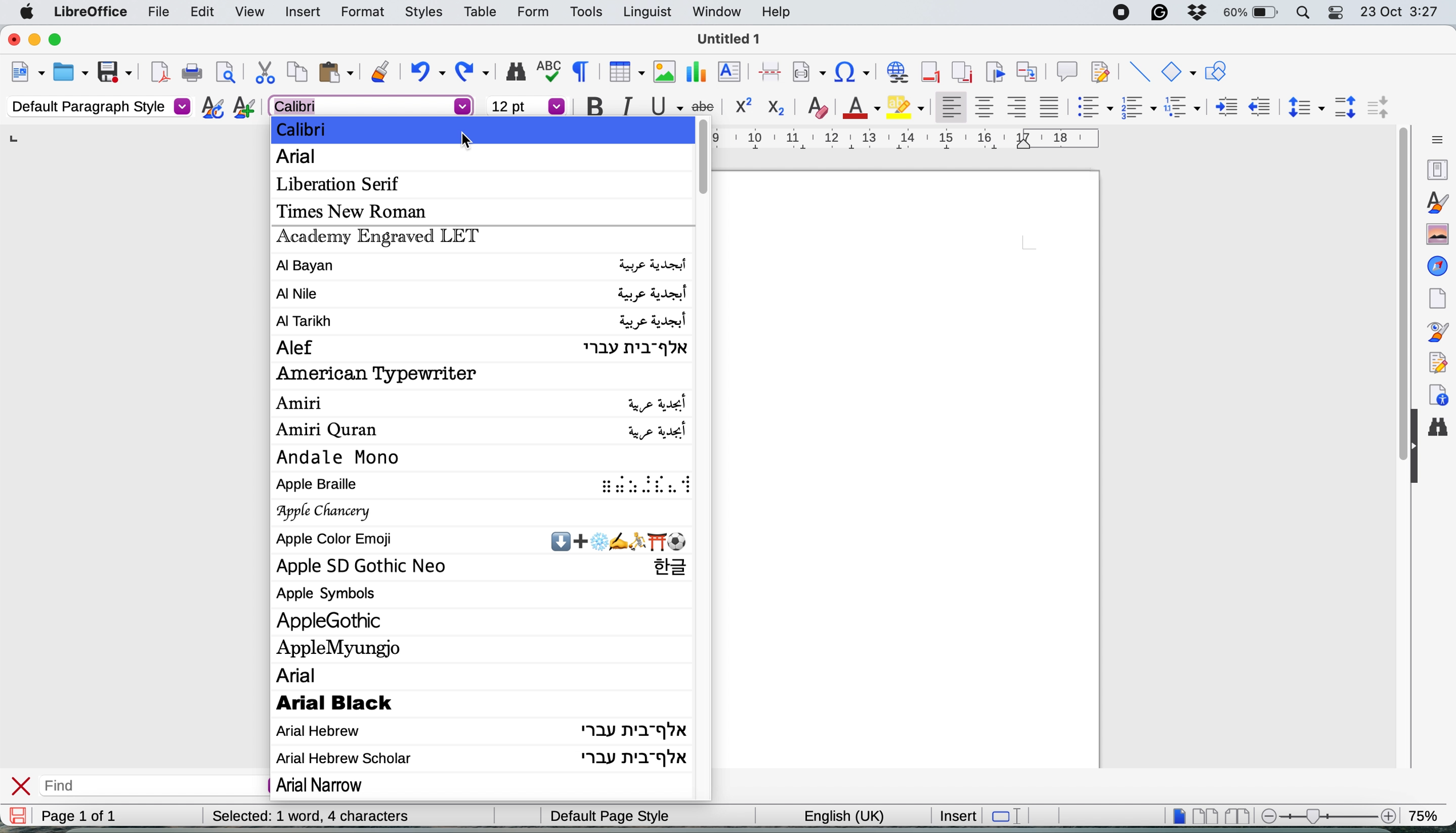 The height and width of the screenshot is (833, 1456). Describe the element at coordinates (242, 109) in the screenshot. I see `new style from selection` at that location.